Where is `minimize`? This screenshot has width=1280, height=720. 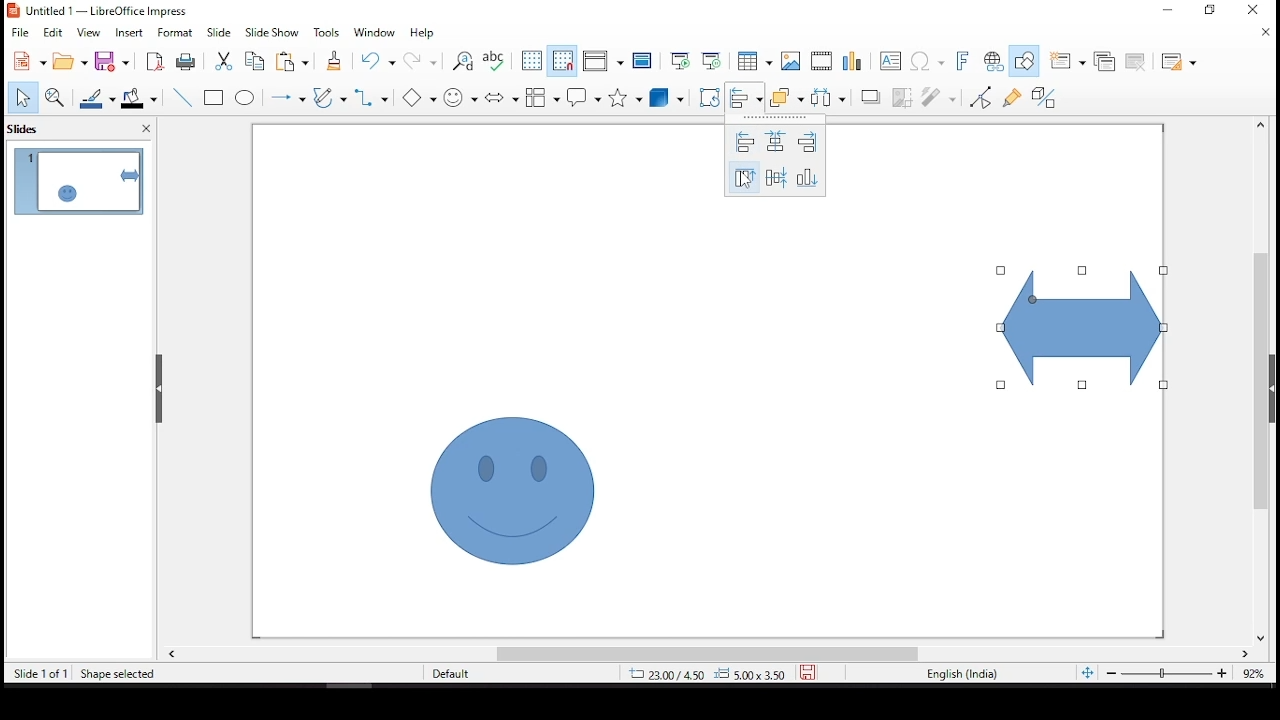 minimize is located at coordinates (1169, 8).